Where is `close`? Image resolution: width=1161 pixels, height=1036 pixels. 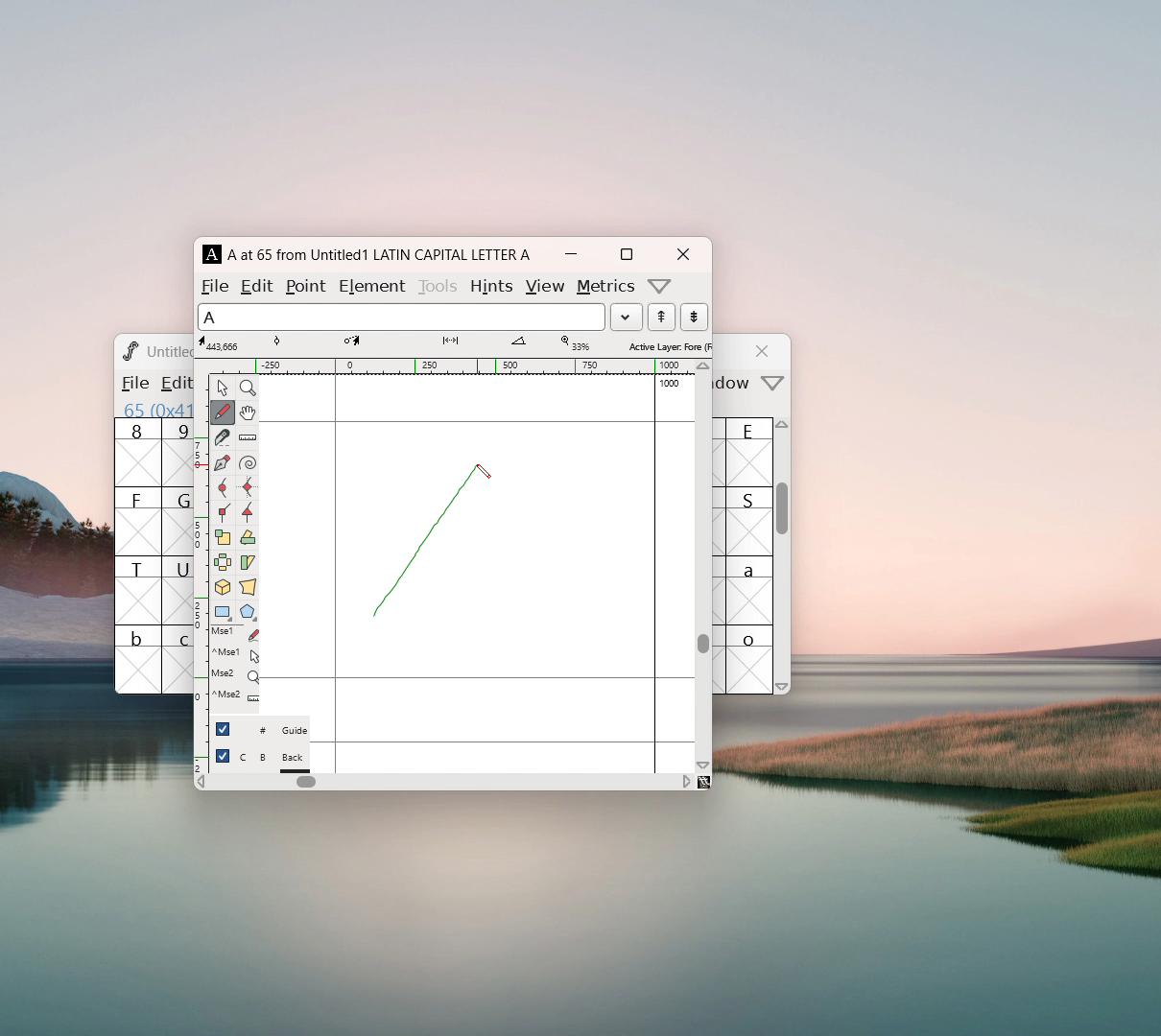 close is located at coordinates (682, 254).